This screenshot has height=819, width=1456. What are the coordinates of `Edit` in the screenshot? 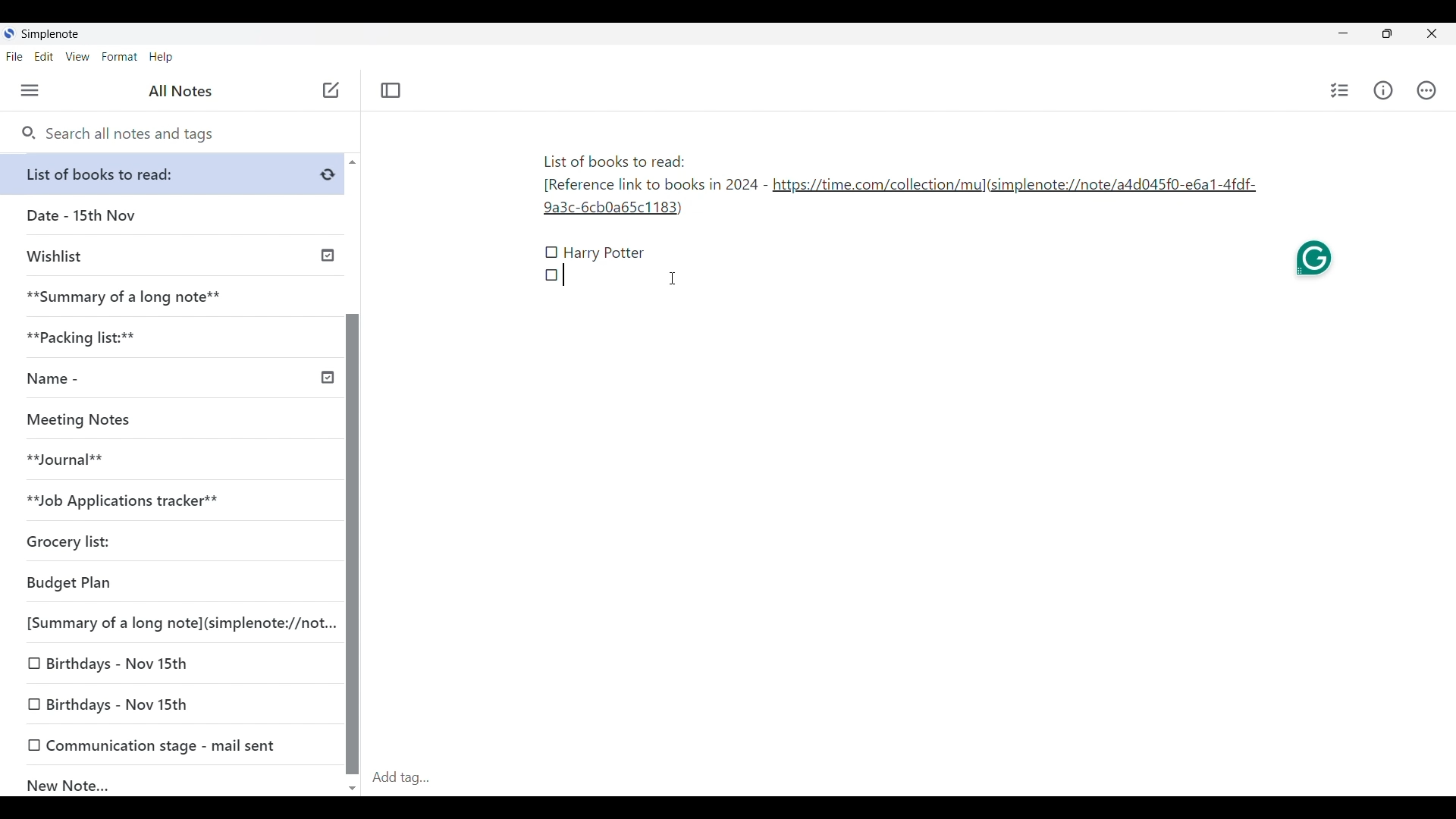 It's located at (44, 57).